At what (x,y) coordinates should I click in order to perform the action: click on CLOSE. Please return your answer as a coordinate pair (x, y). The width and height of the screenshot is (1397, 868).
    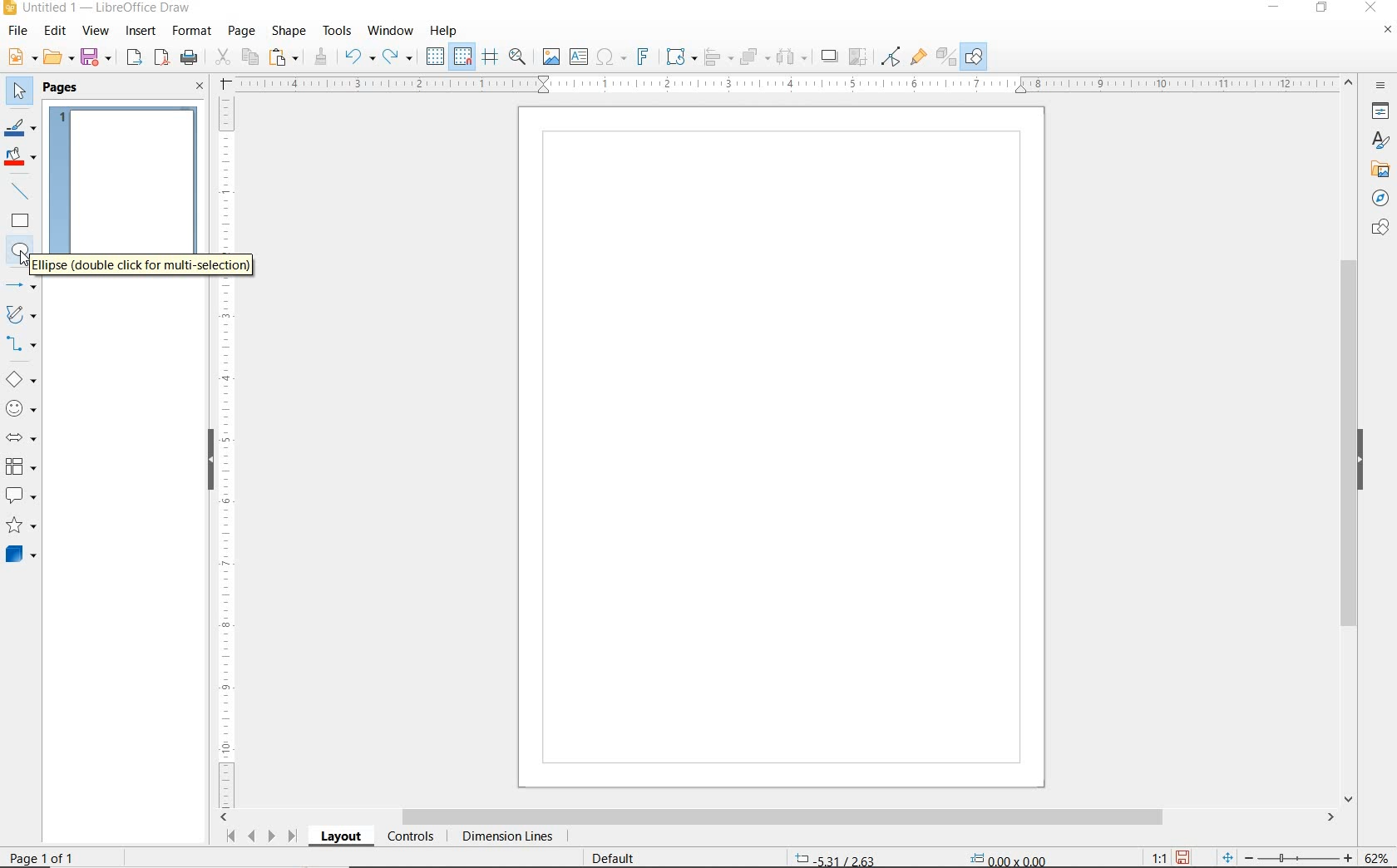
    Looking at the image, I should click on (200, 87).